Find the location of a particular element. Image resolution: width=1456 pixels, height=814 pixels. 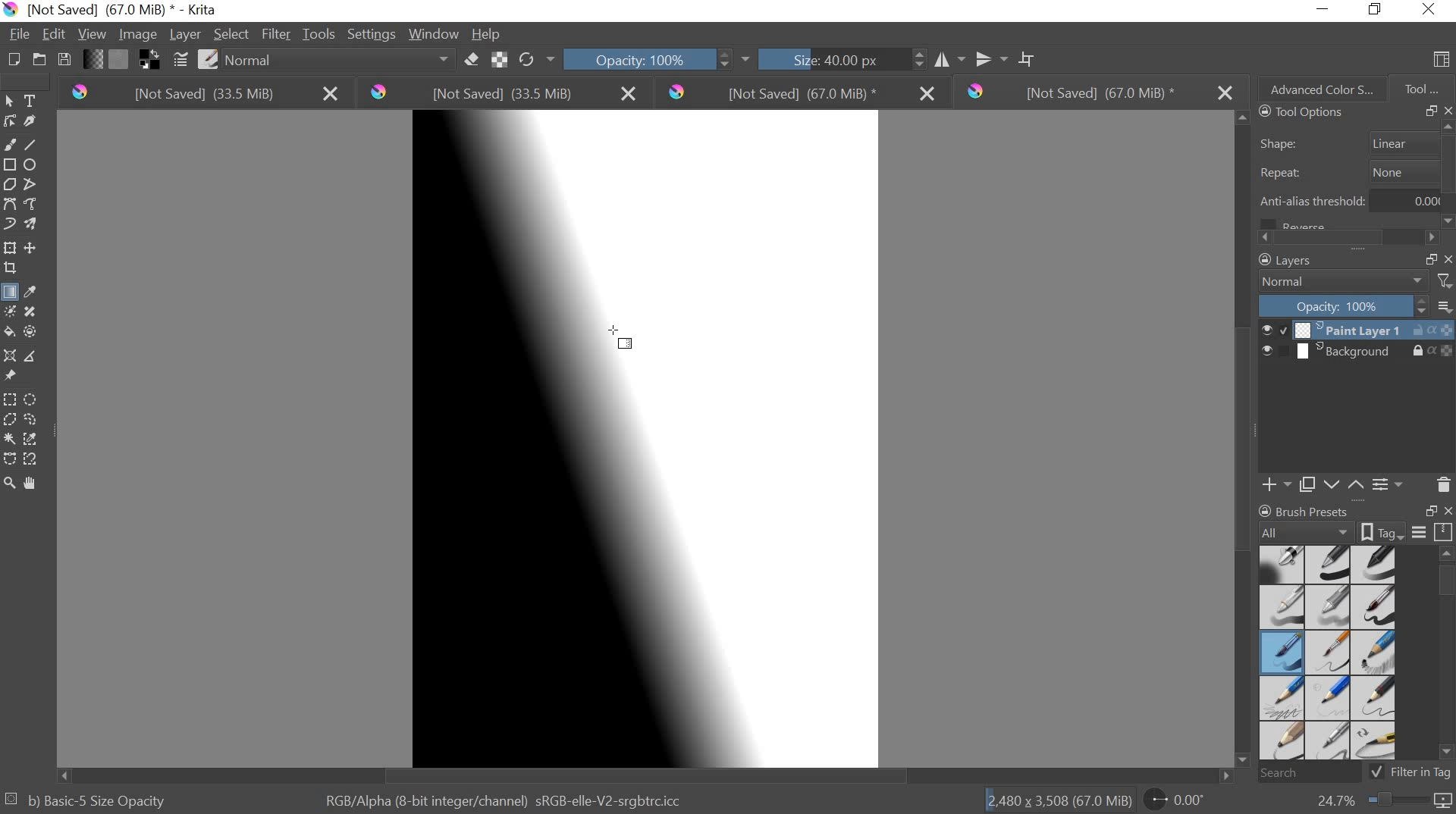

DELETE LAYER OR MASK is located at coordinates (1443, 484).